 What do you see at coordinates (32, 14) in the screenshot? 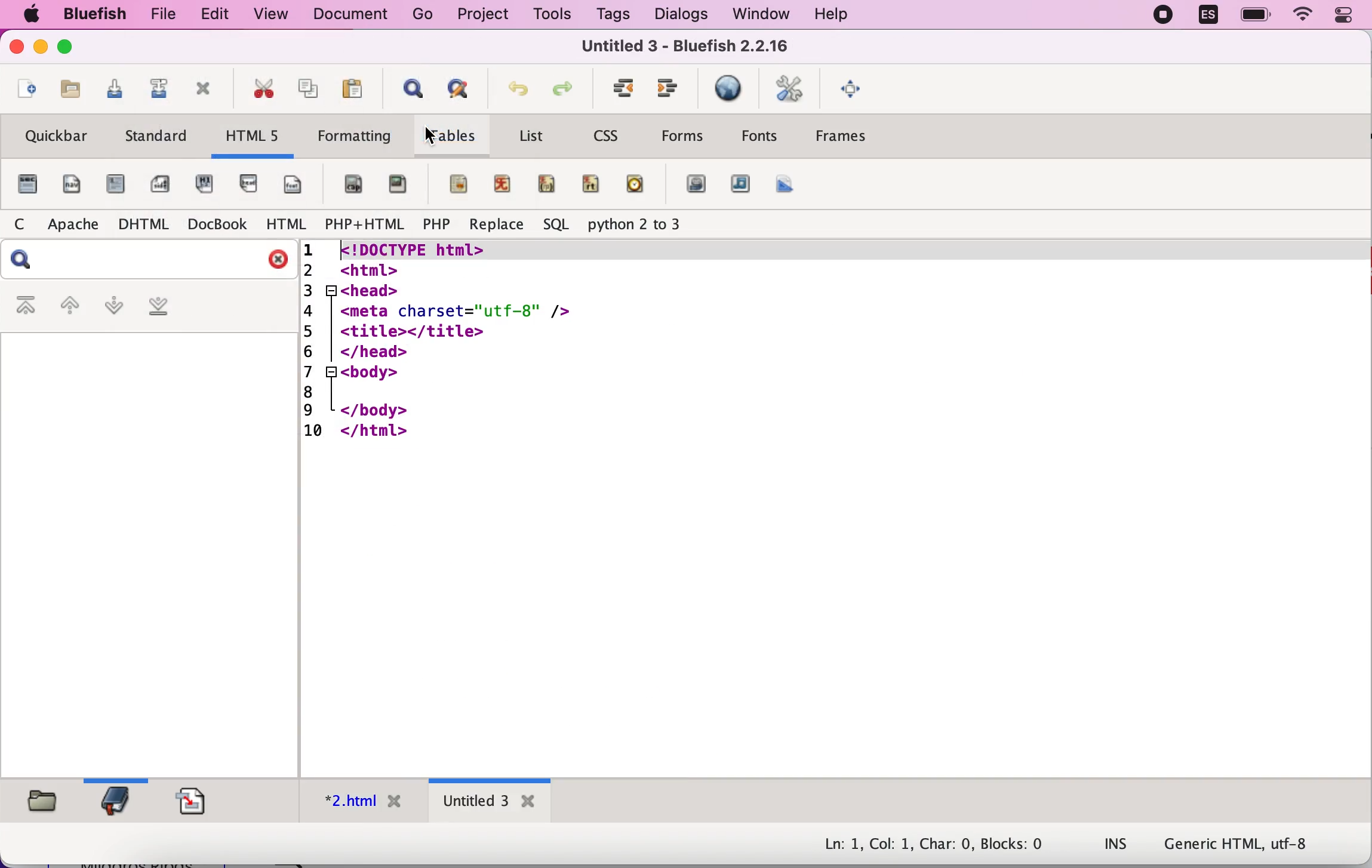
I see `Apple menu` at bounding box center [32, 14].